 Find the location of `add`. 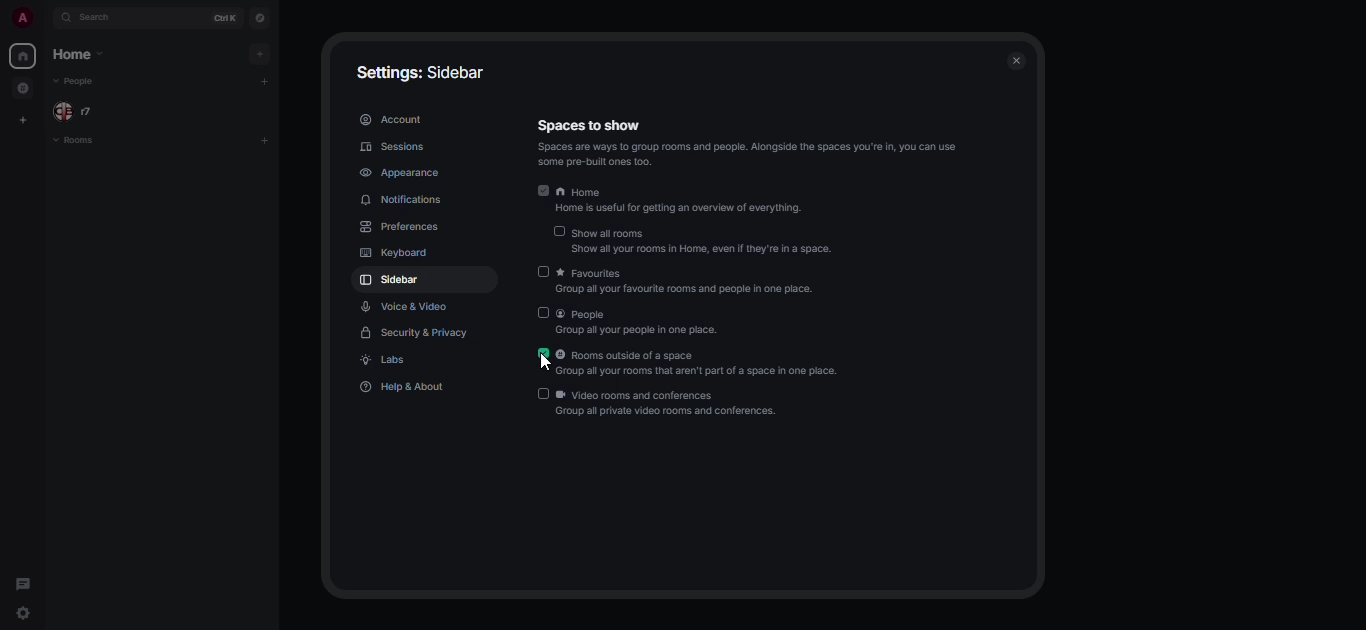

add is located at coordinates (267, 142).